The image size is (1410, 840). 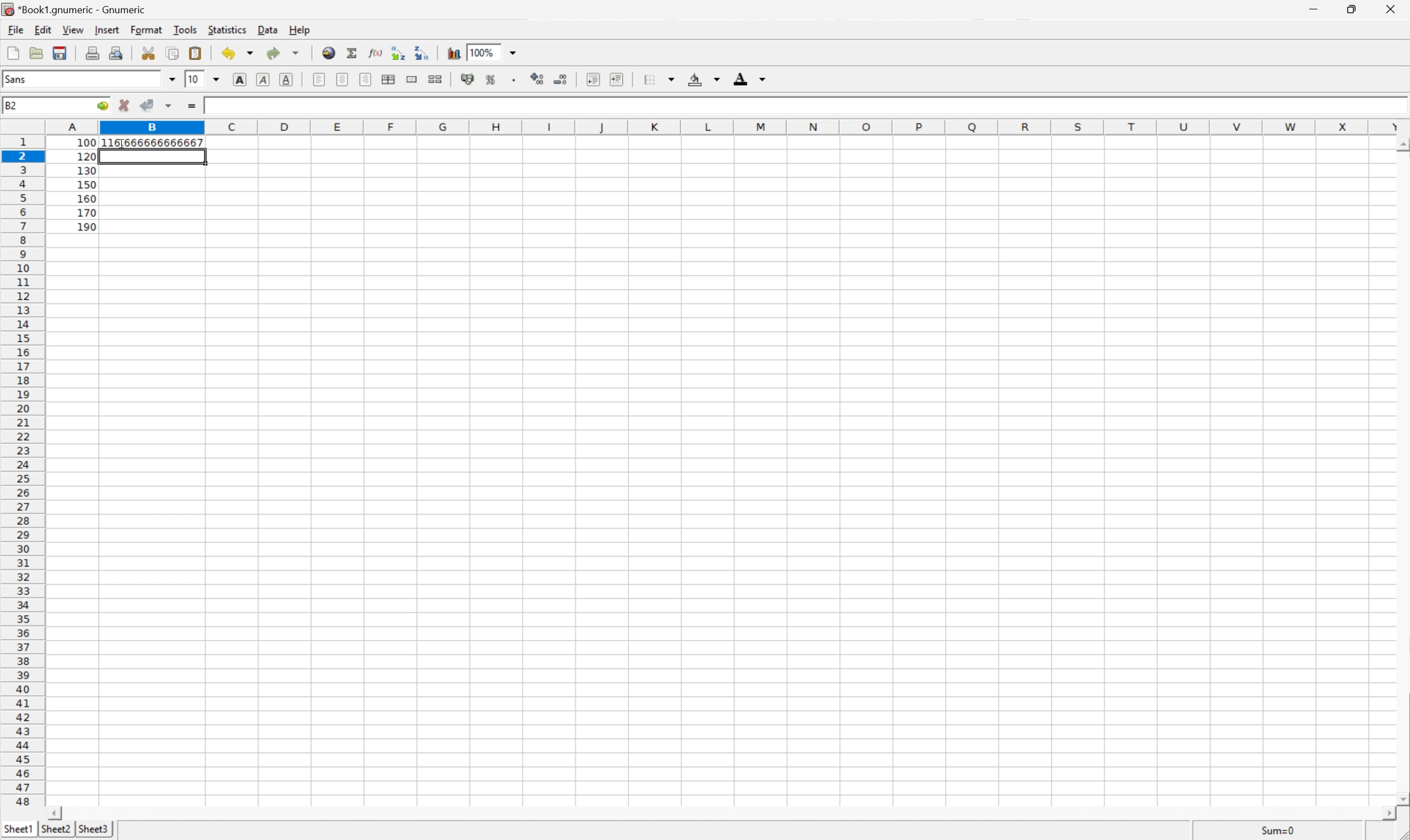 What do you see at coordinates (87, 142) in the screenshot?
I see `100` at bounding box center [87, 142].